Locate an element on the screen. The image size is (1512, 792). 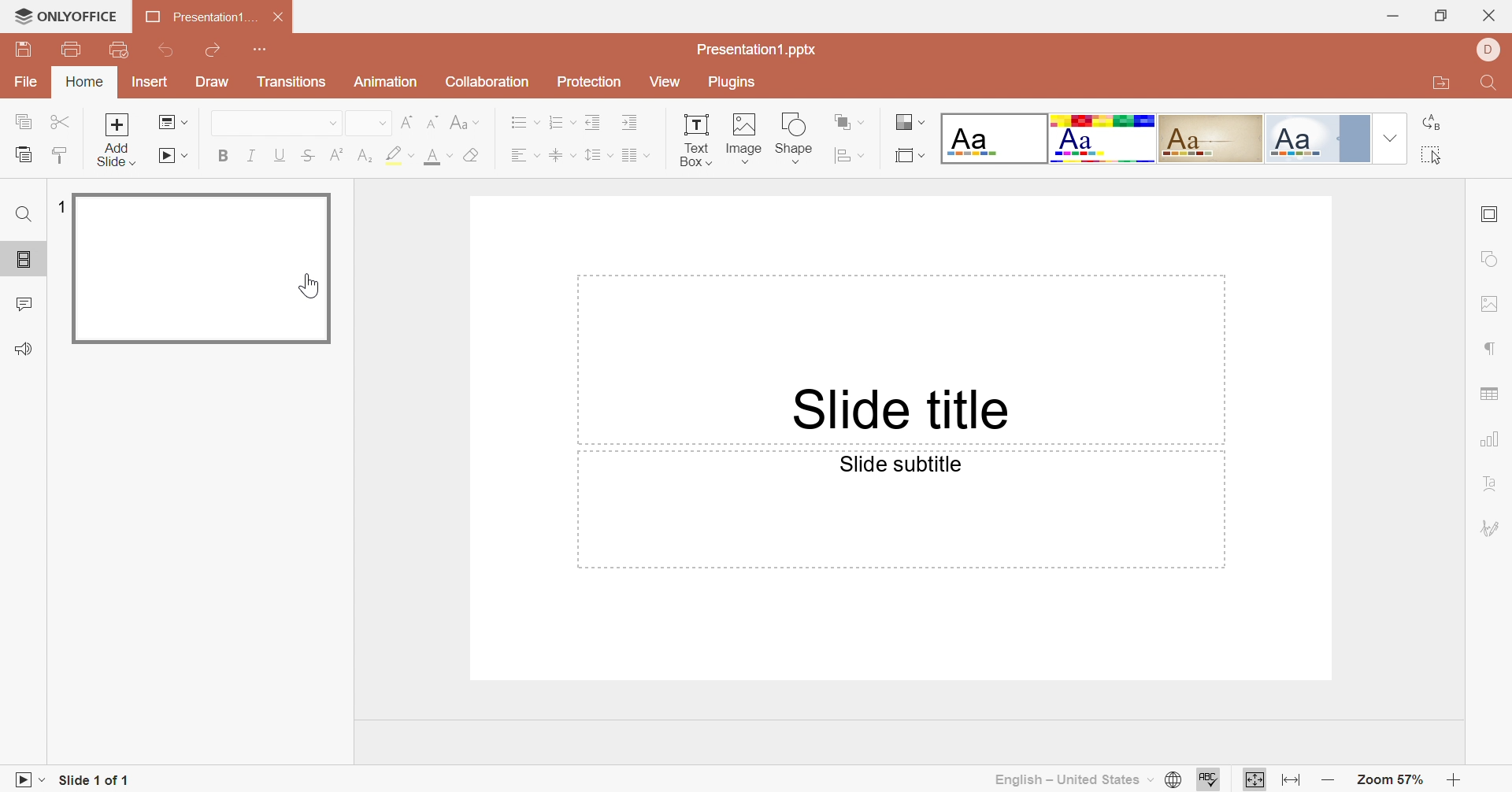
Drop Down is located at coordinates (537, 121).